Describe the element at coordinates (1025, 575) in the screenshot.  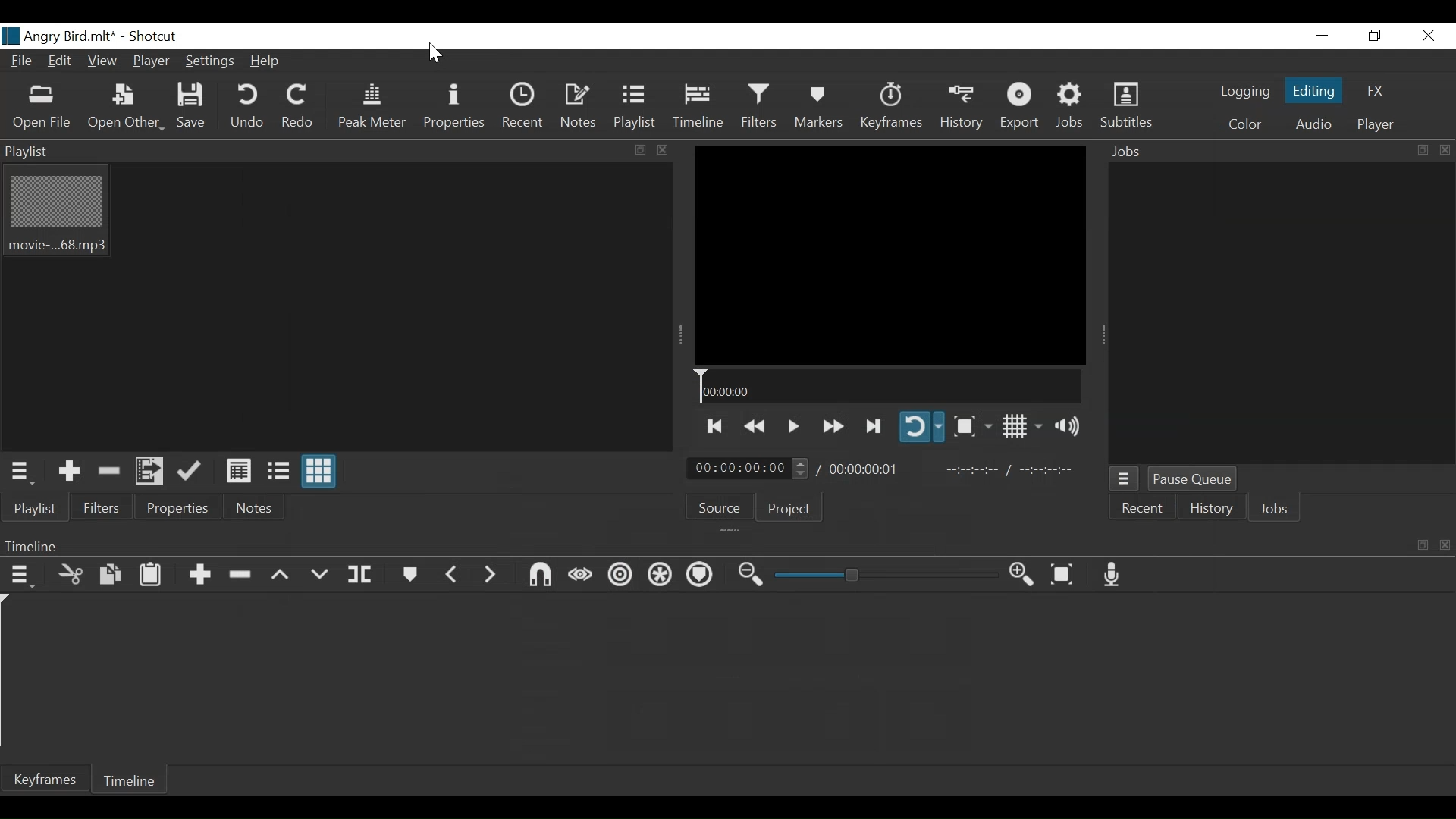
I see `Zoom timeline in` at that location.